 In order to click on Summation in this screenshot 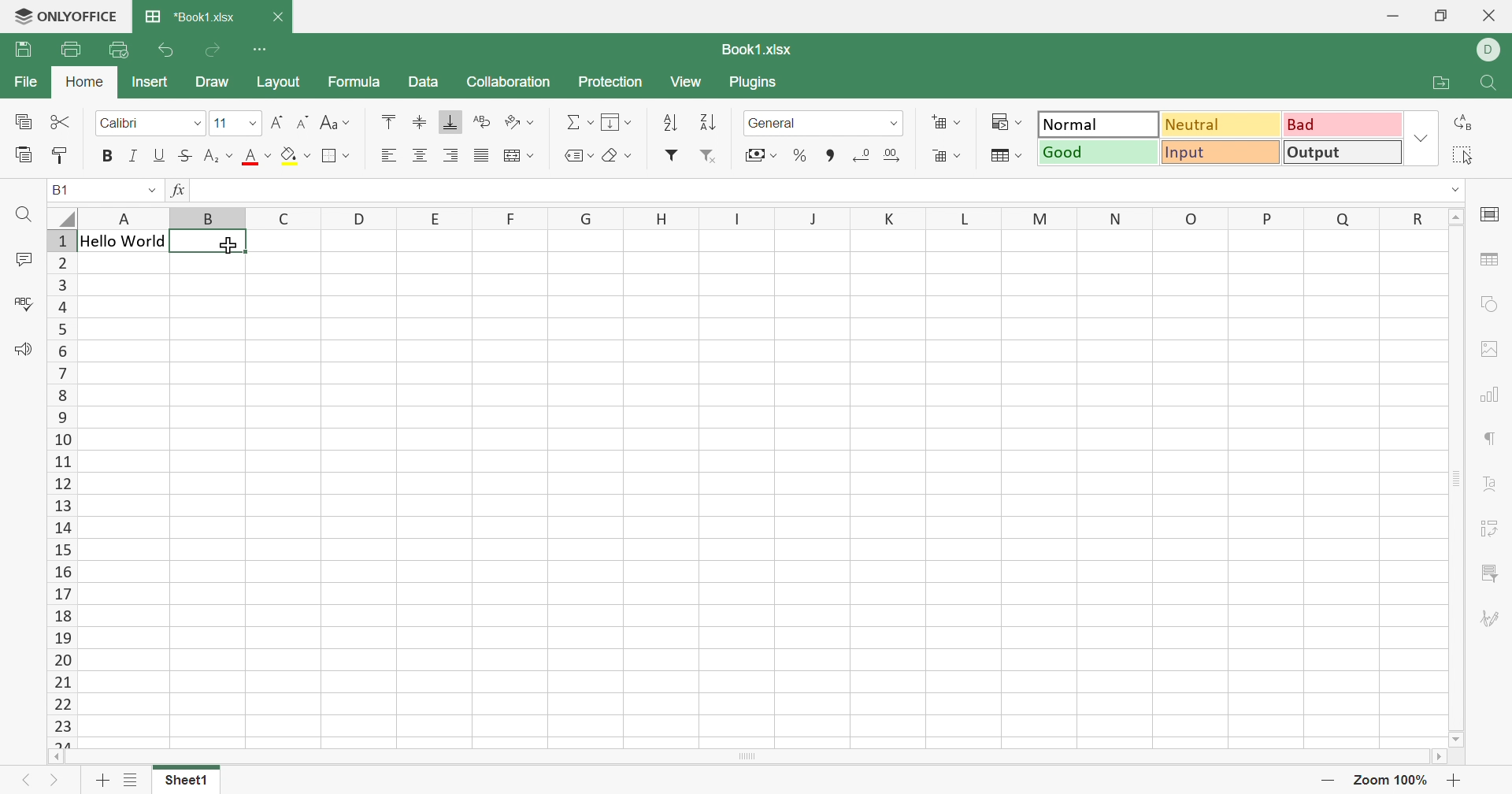, I will do `click(580, 124)`.